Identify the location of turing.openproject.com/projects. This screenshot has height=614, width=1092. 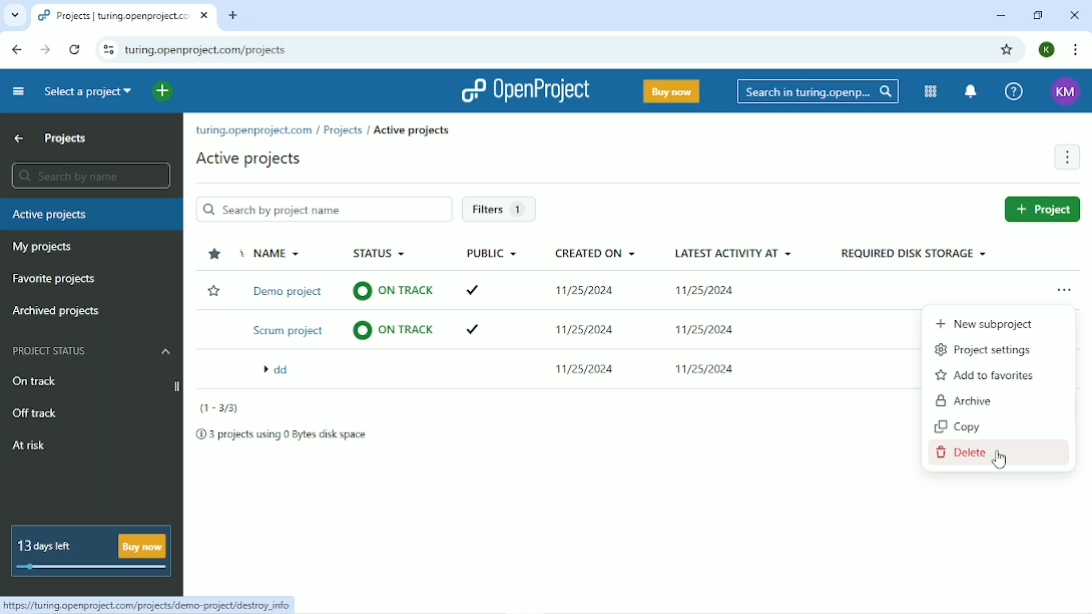
(207, 51).